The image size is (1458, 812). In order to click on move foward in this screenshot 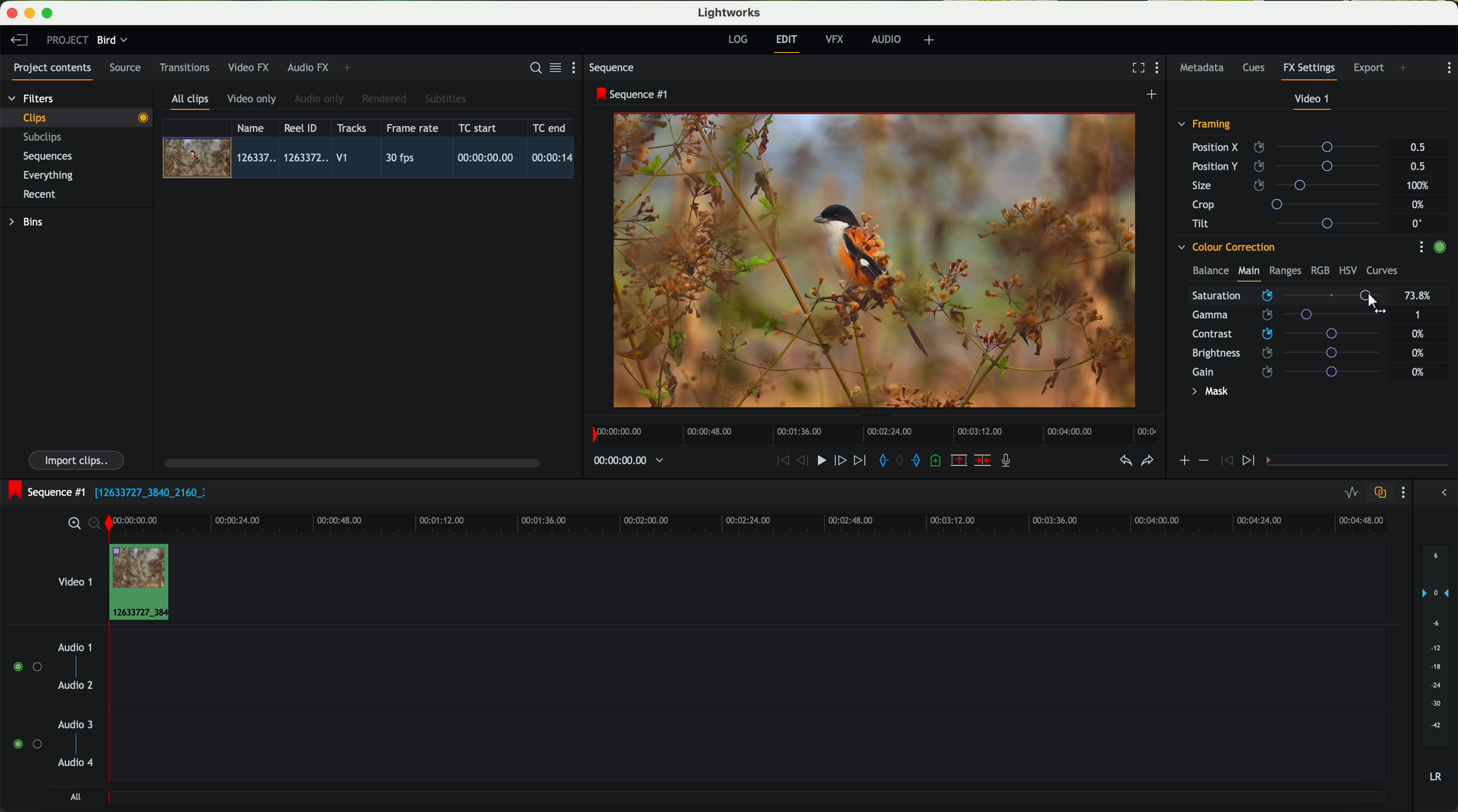, I will do `click(859, 461)`.